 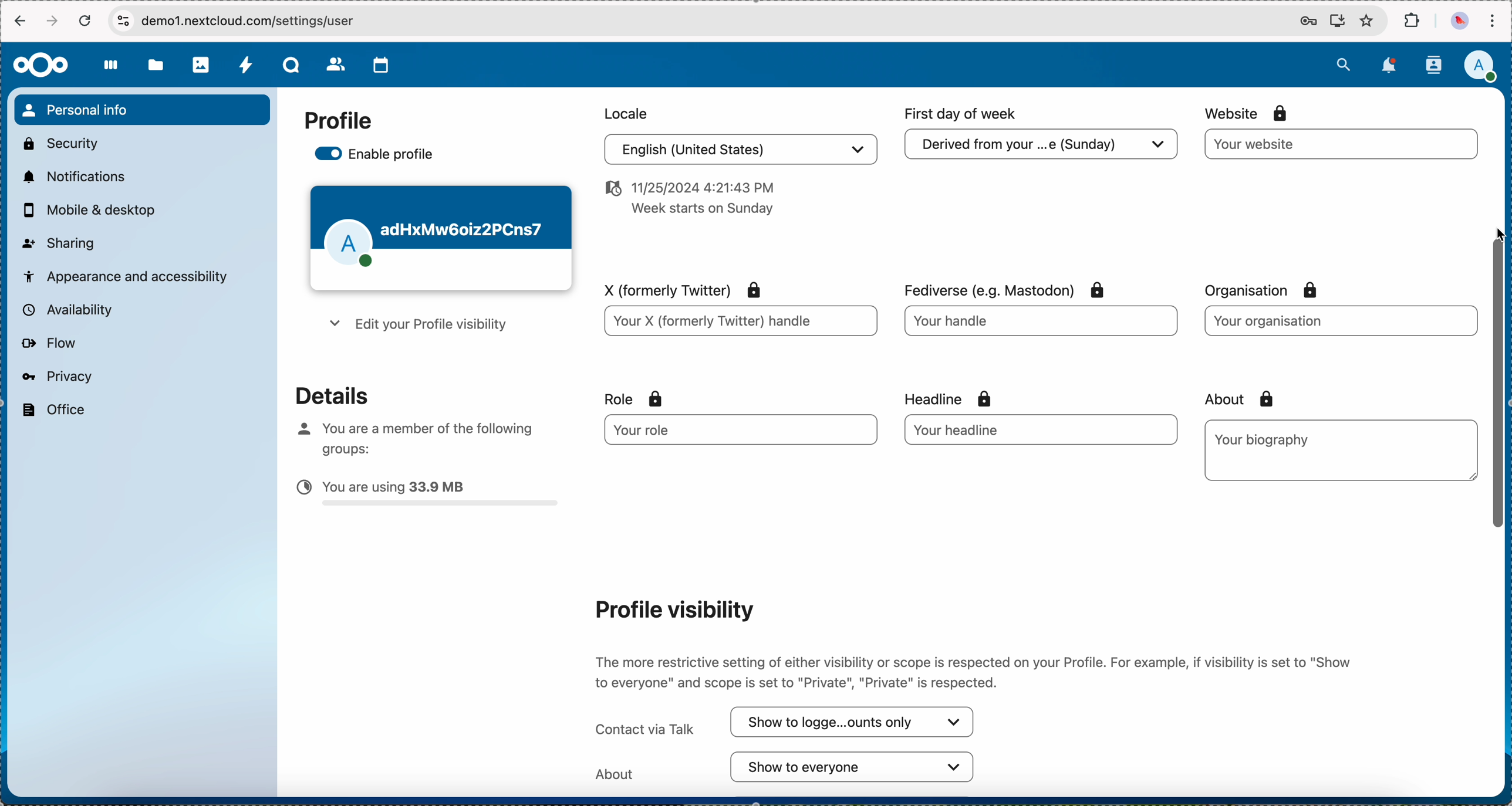 I want to click on photos, so click(x=202, y=65).